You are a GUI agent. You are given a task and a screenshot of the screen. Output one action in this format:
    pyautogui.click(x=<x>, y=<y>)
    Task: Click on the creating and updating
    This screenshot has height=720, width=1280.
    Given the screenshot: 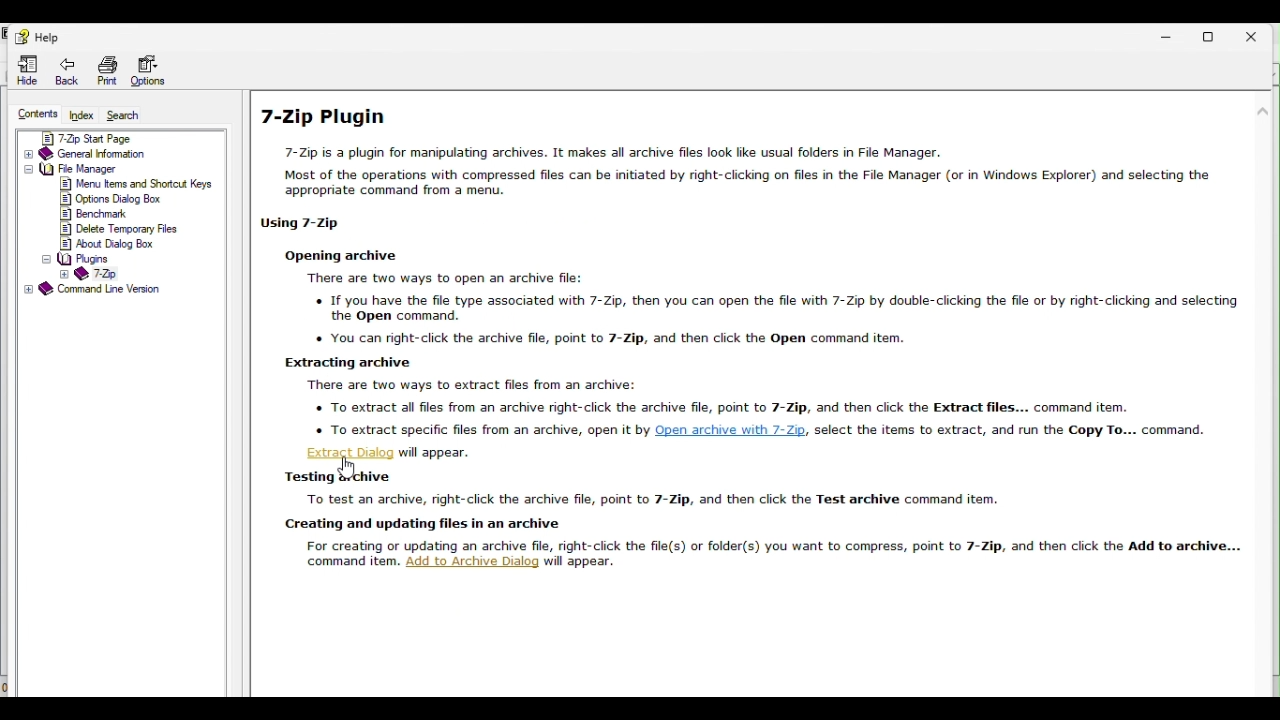 What is the action you would take?
    pyautogui.click(x=421, y=524)
    